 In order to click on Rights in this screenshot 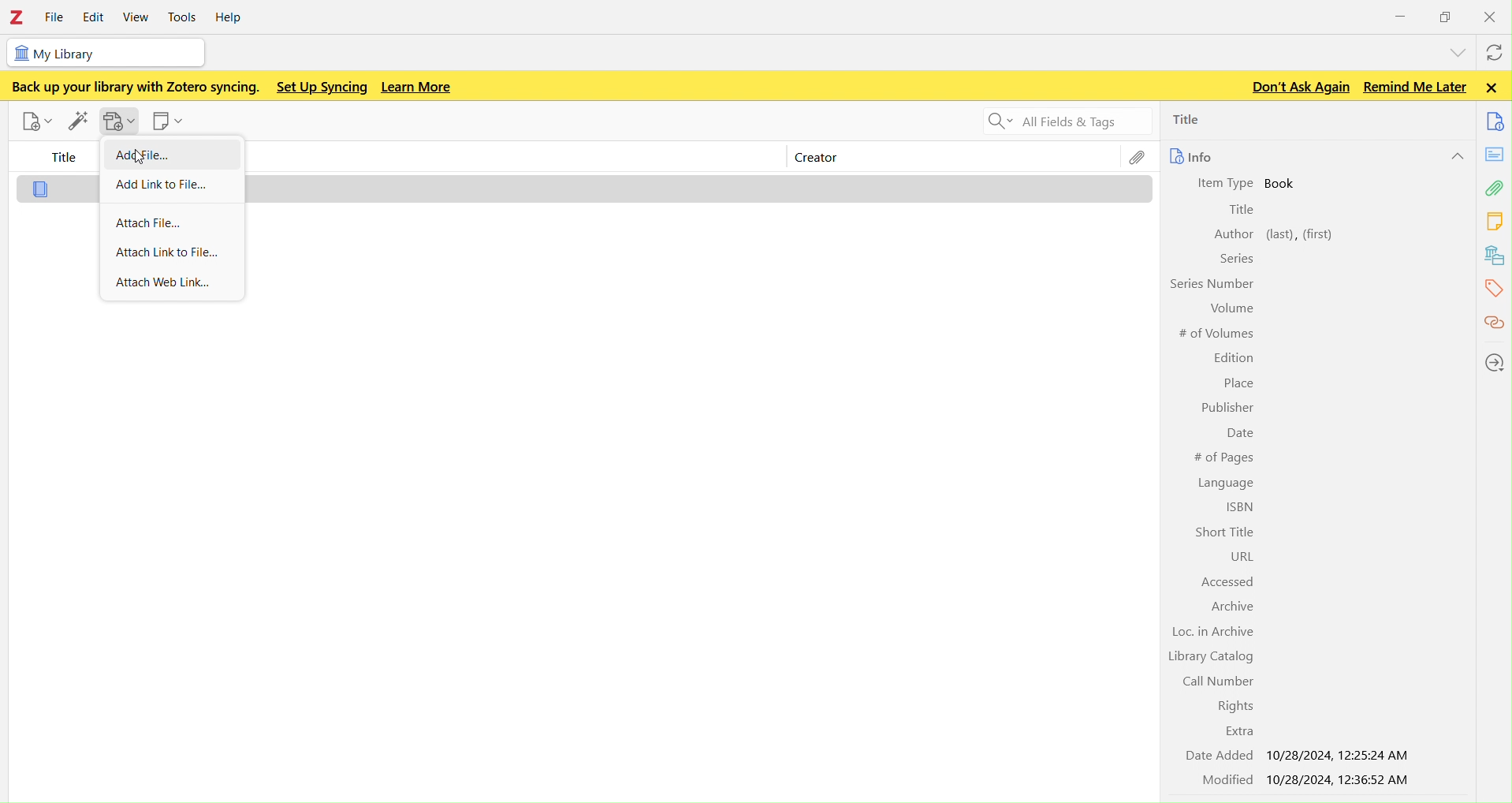, I will do `click(1236, 706)`.